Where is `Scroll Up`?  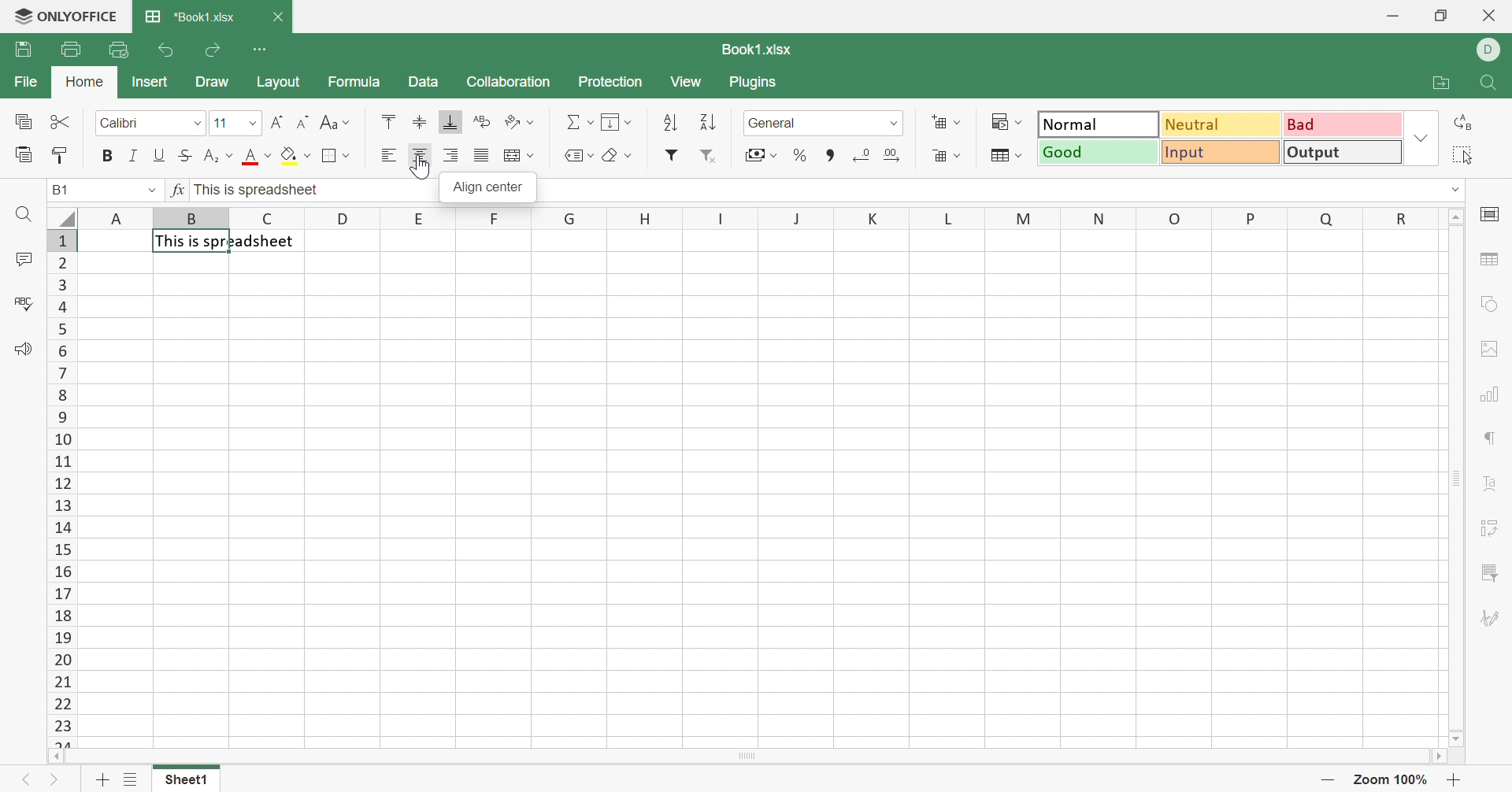
Scroll Up is located at coordinates (1453, 215).